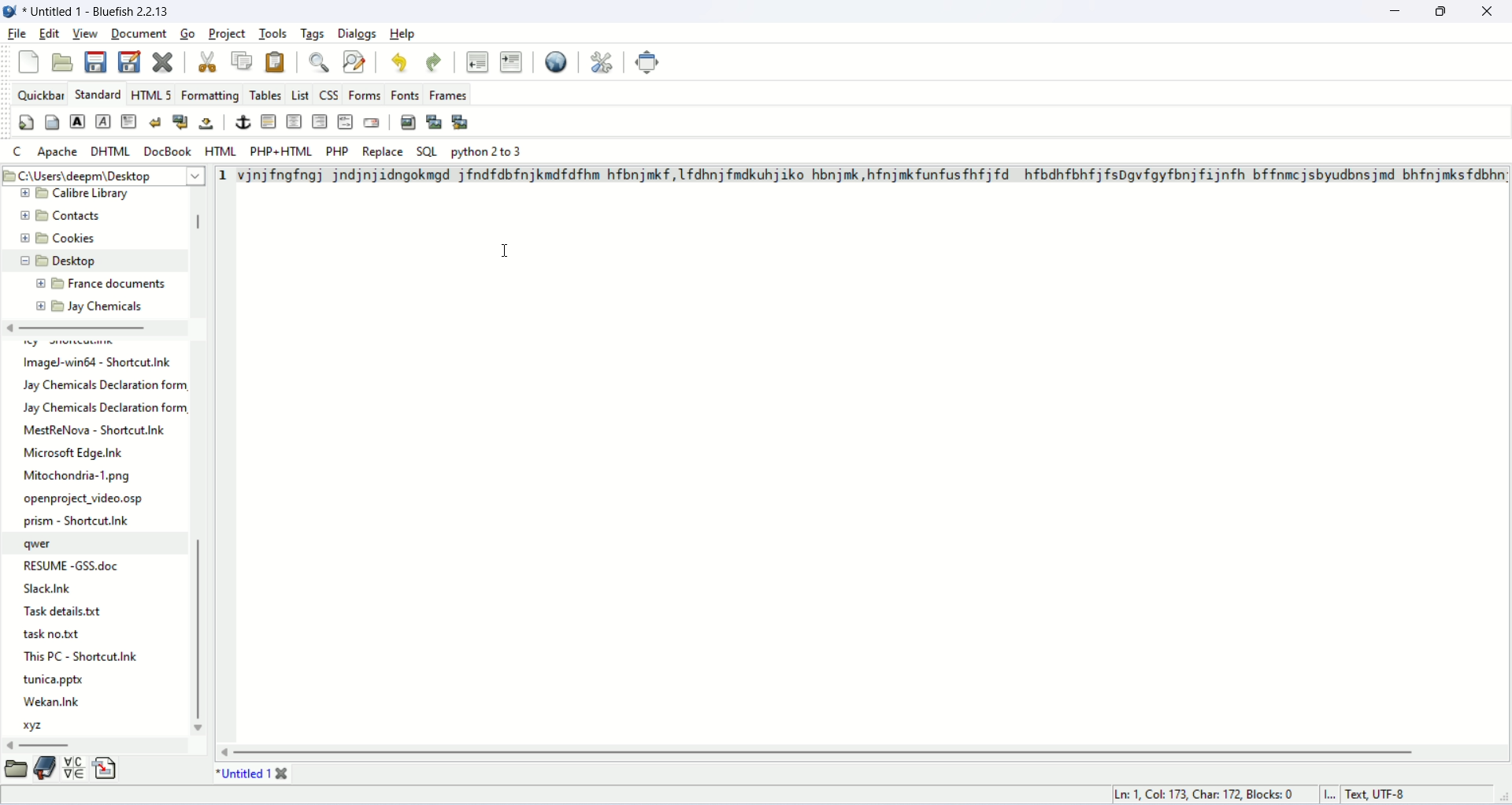 The width and height of the screenshot is (1512, 805). I want to click on Contacts, so click(79, 216).